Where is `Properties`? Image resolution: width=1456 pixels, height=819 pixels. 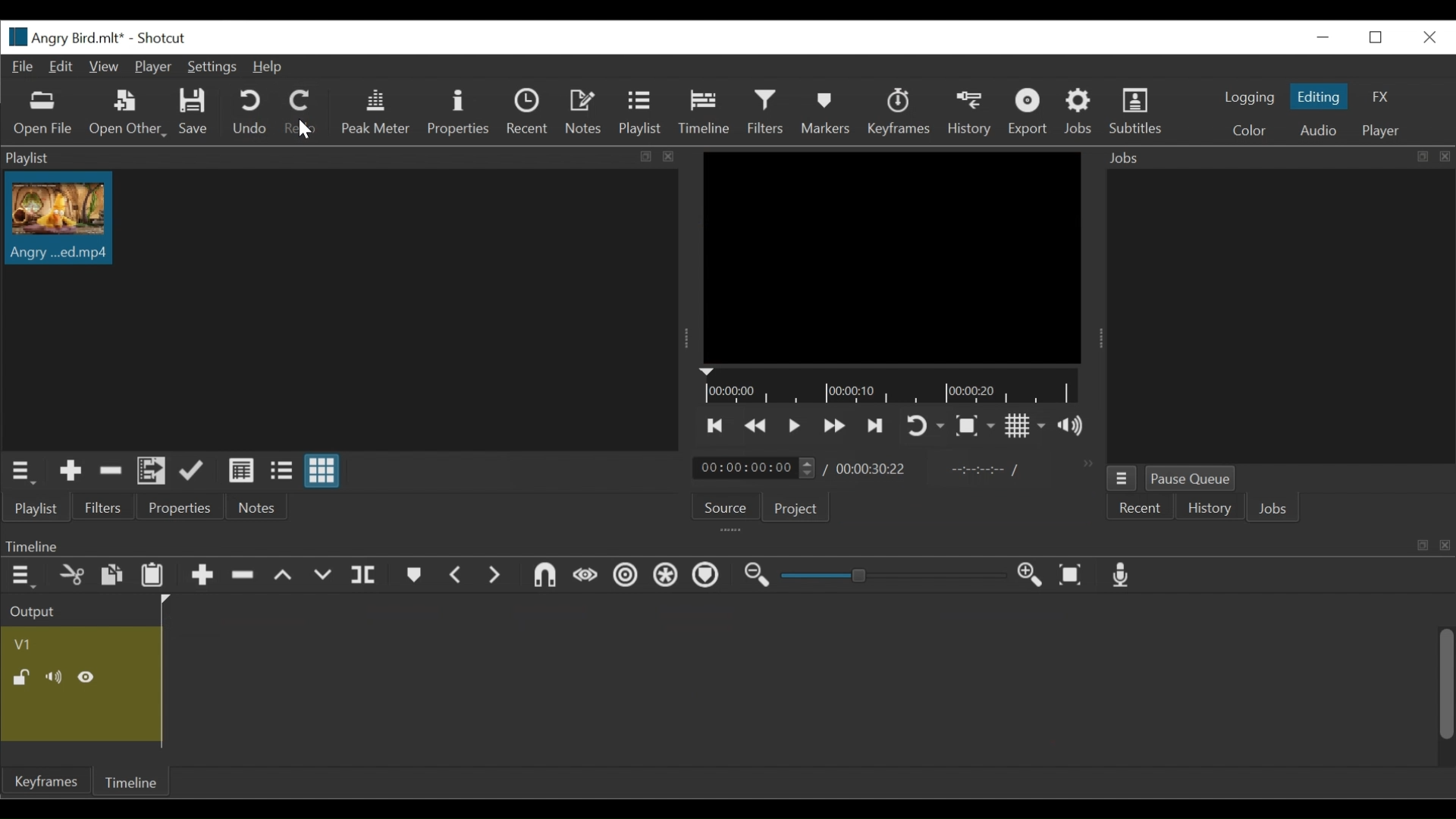
Properties is located at coordinates (458, 111).